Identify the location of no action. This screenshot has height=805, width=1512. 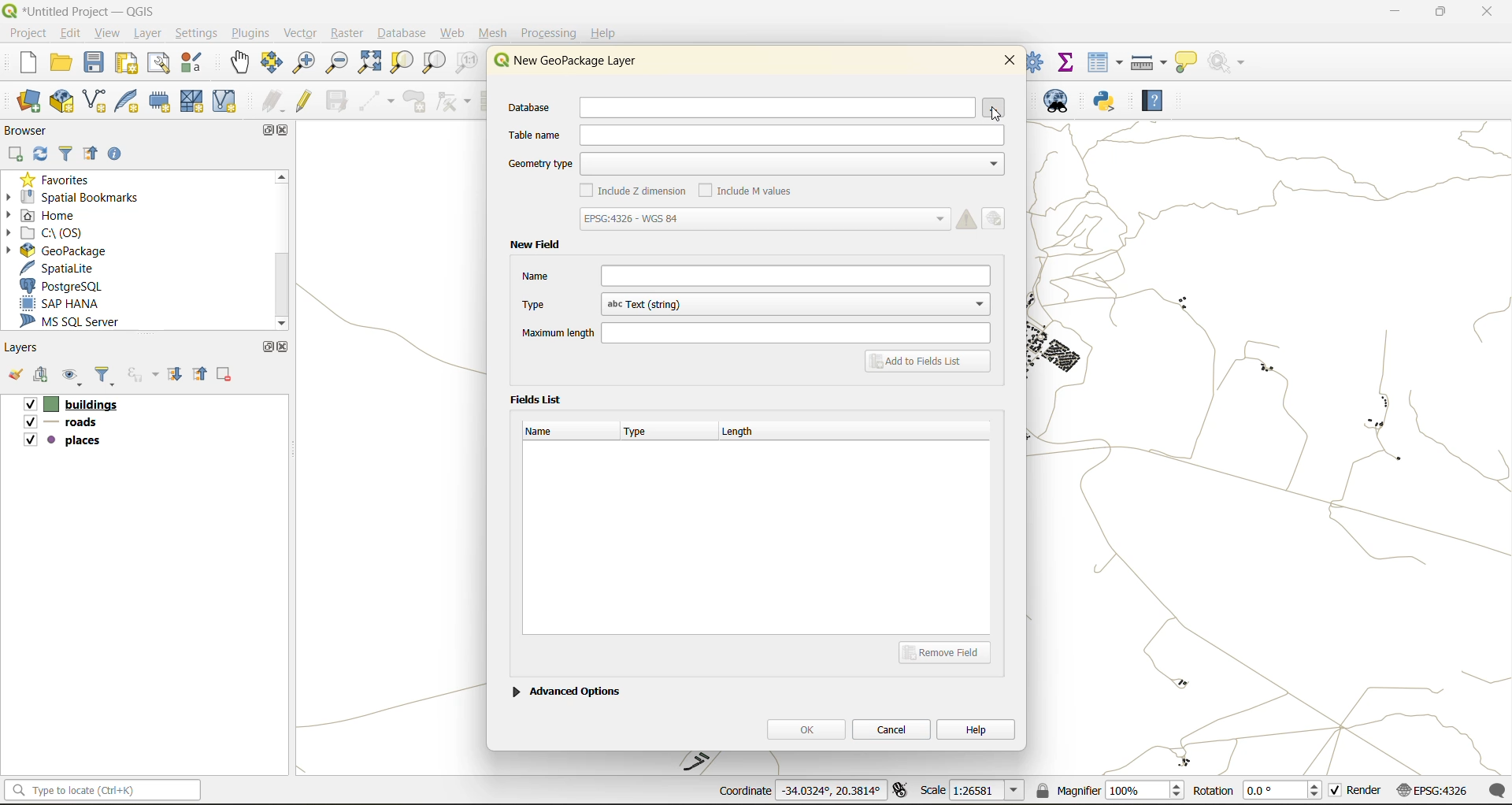
(1228, 62).